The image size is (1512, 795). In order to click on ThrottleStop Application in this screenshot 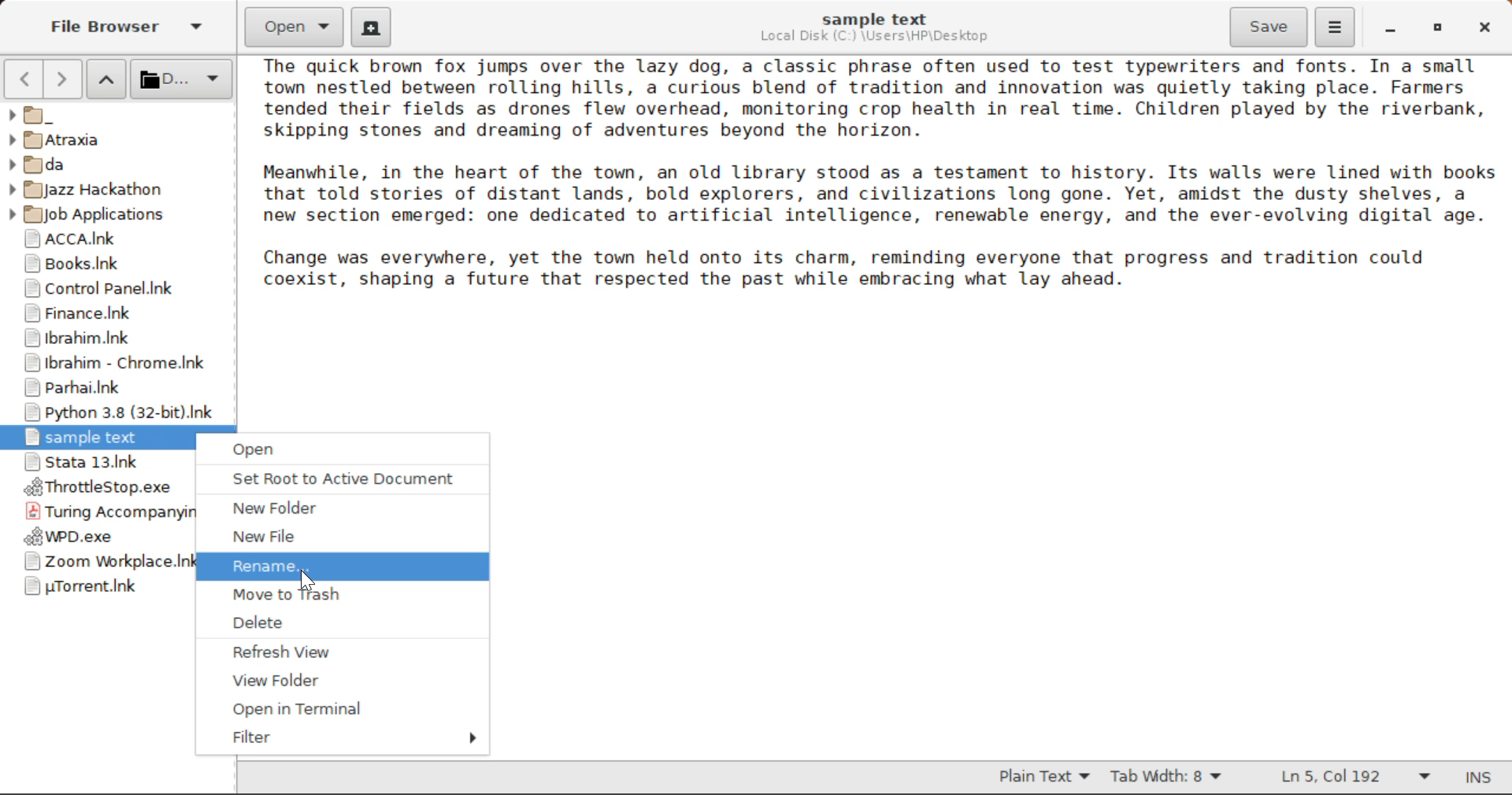, I will do `click(96, 488)`.